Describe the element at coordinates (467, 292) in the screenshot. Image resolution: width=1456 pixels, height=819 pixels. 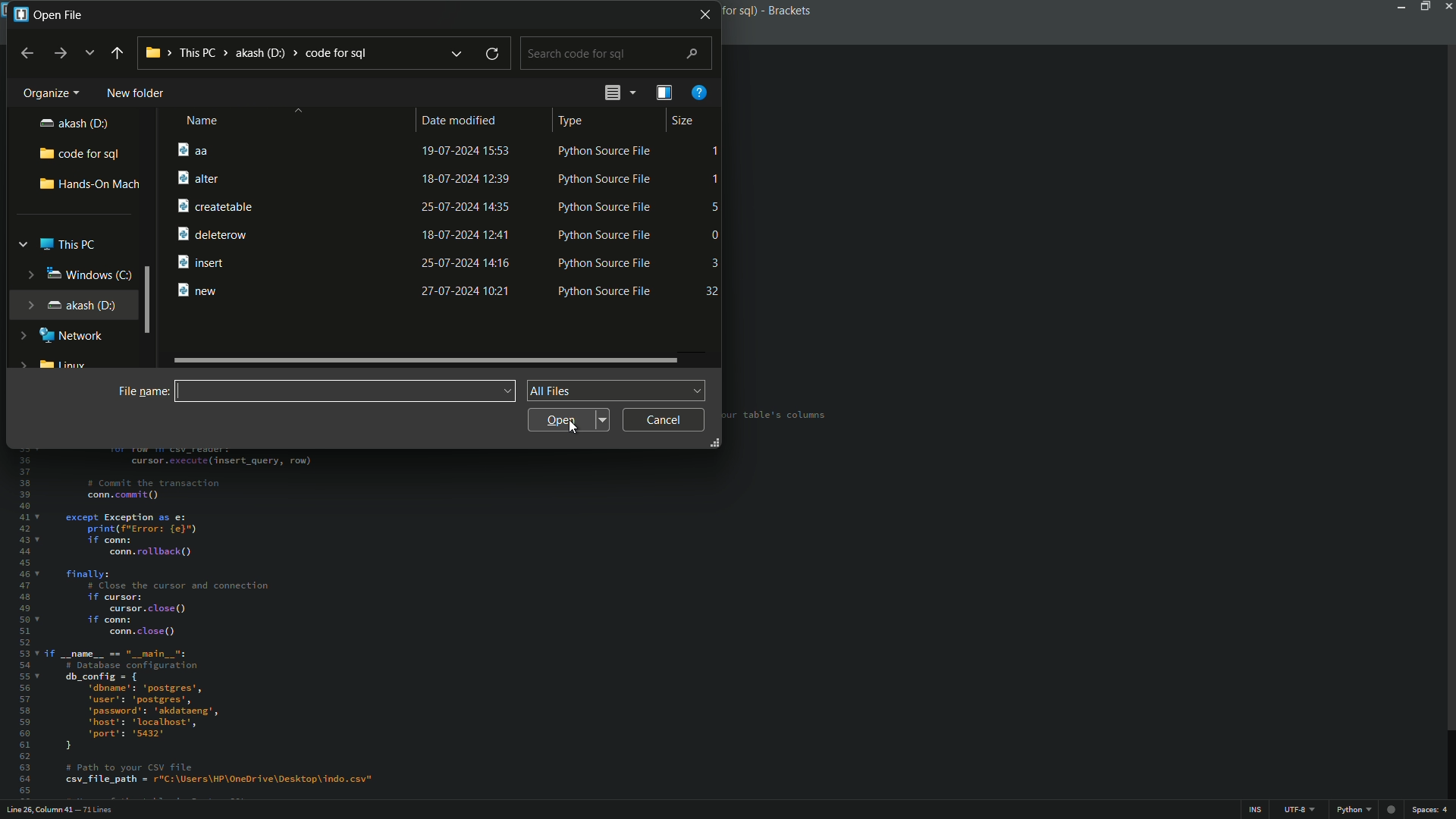
I see `27-07-2024 10:21` at that location.